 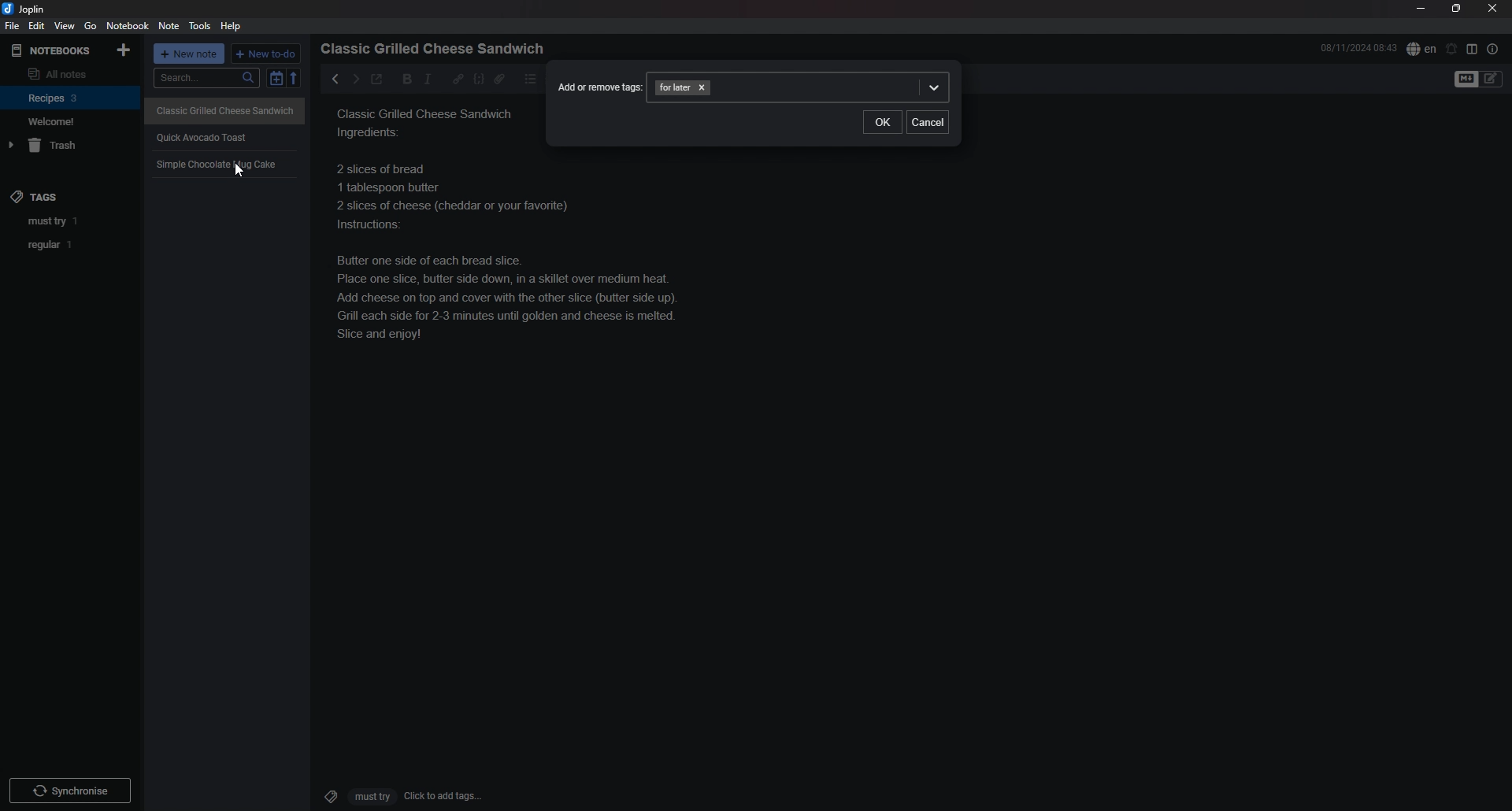 I want to click on Classic Grilled Cheese Sandwich, so click(x=226, y=109).